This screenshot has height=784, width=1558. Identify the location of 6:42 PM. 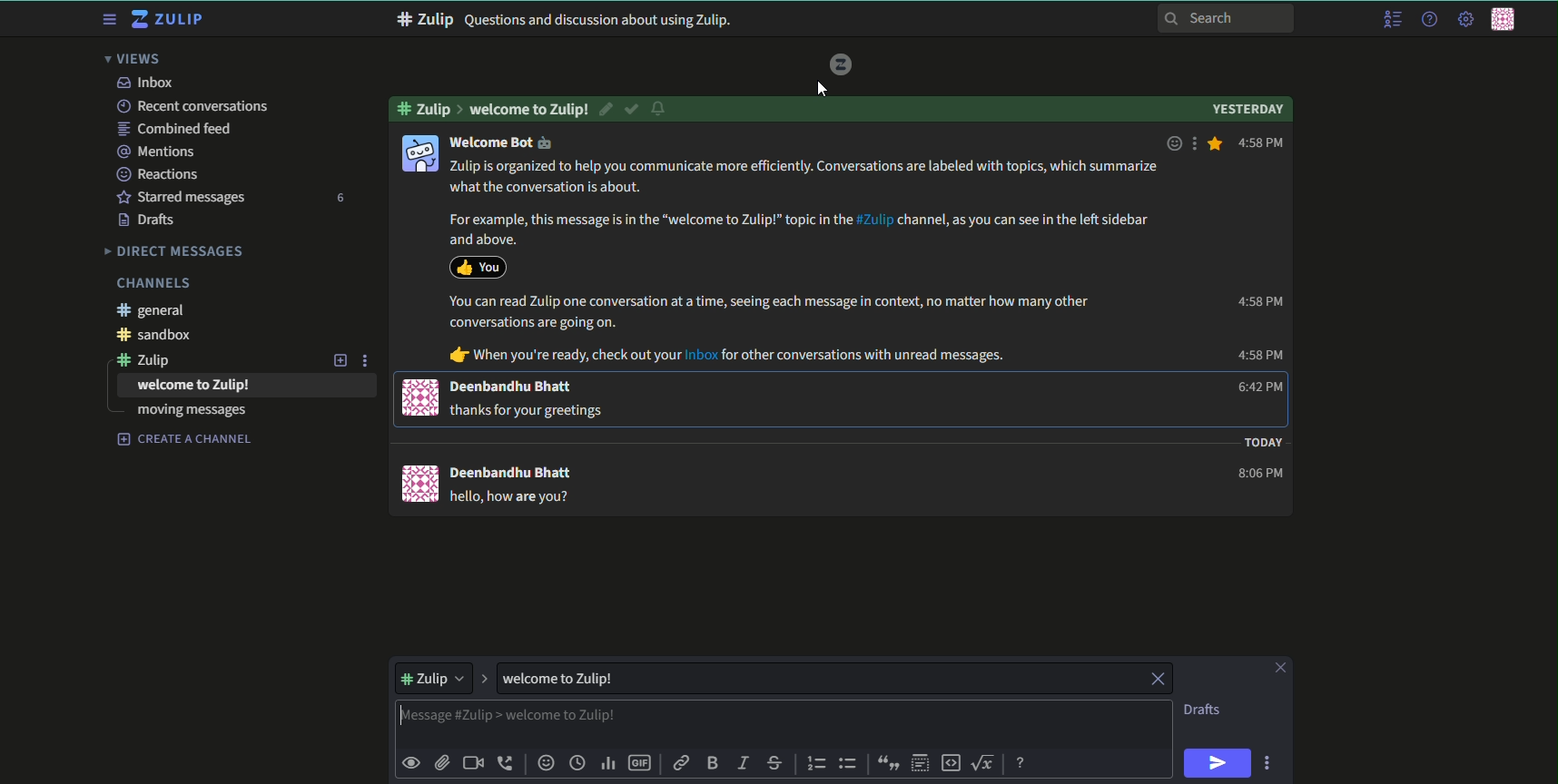
(1255, 387).